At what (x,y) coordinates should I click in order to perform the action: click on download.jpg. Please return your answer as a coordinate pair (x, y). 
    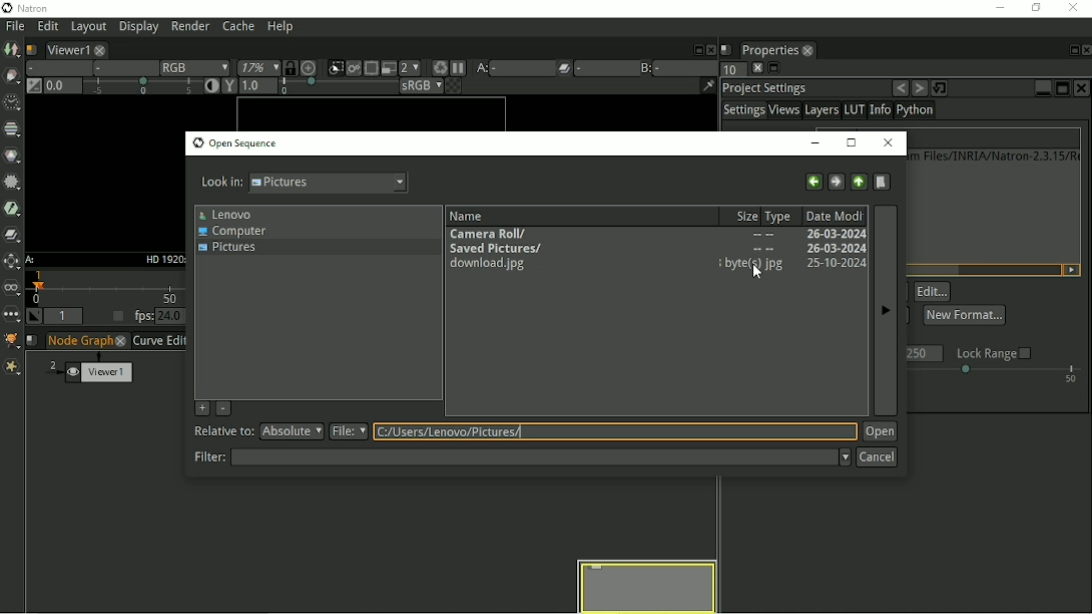
    Looking at the image, I should click on (495, 265).